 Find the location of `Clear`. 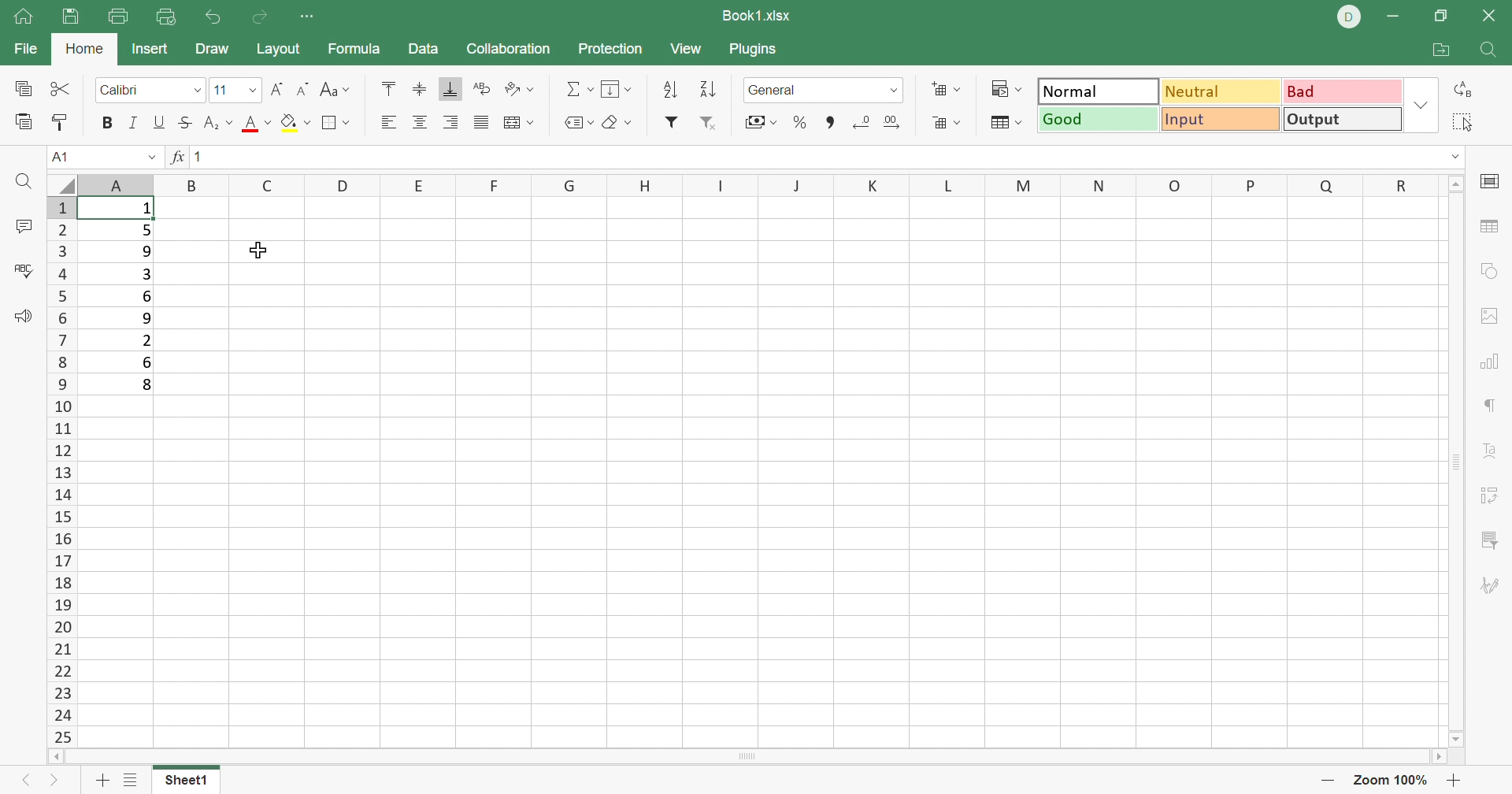

Clear is located at coordinates (617, 122).